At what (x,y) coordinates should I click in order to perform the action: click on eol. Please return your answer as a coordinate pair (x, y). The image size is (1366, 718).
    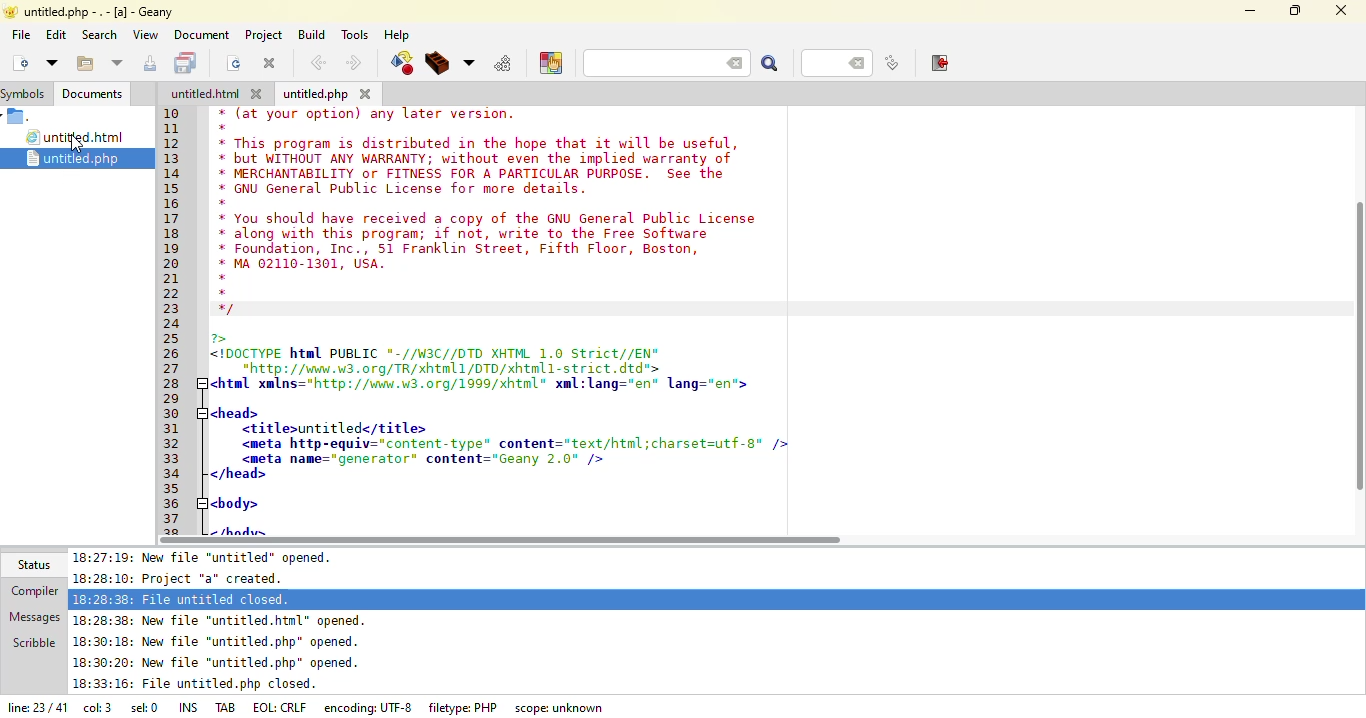
    Looking at the image, I should click on (277, 706).